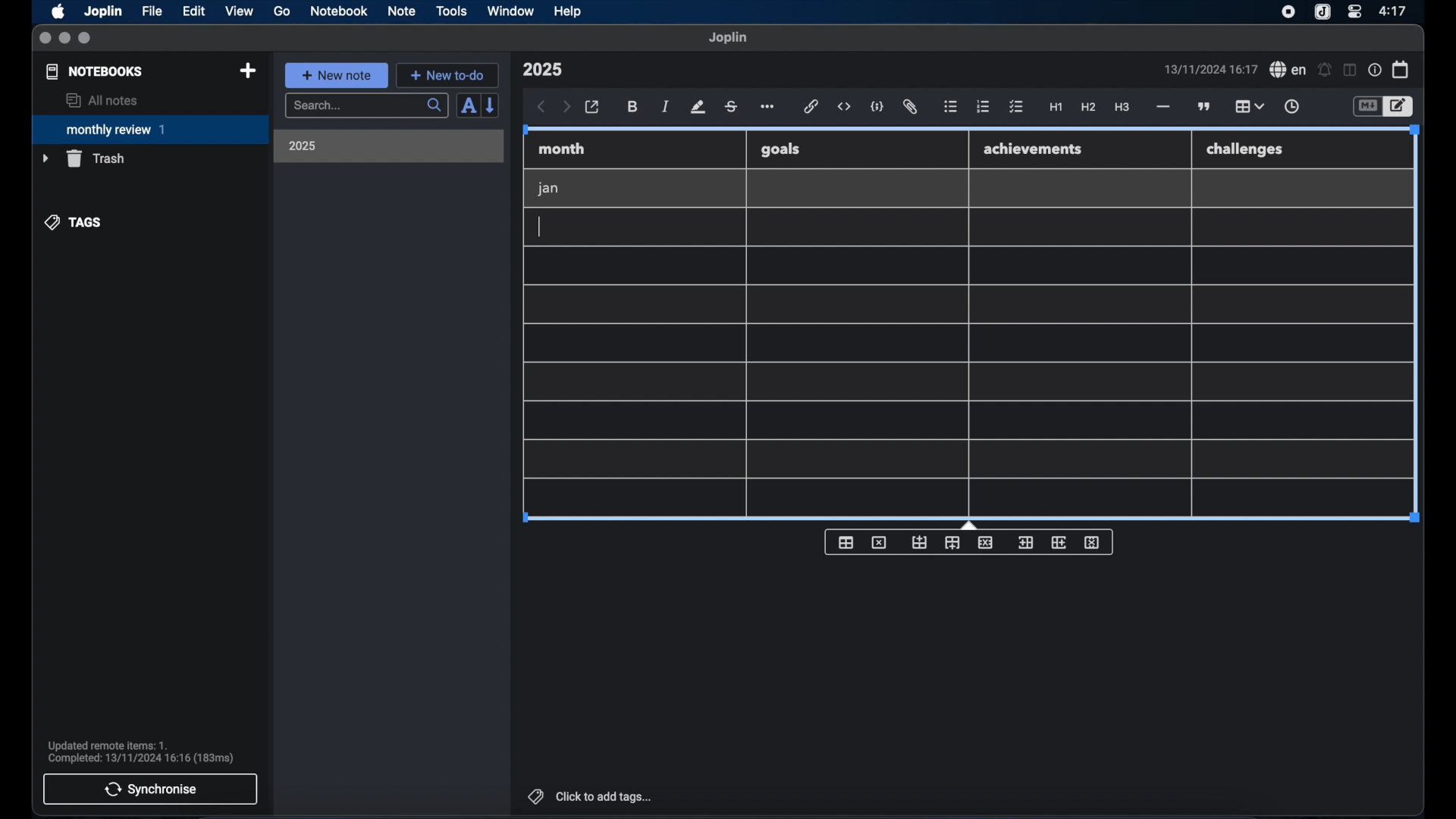  I want to click on insert row after, so click(952, 543).